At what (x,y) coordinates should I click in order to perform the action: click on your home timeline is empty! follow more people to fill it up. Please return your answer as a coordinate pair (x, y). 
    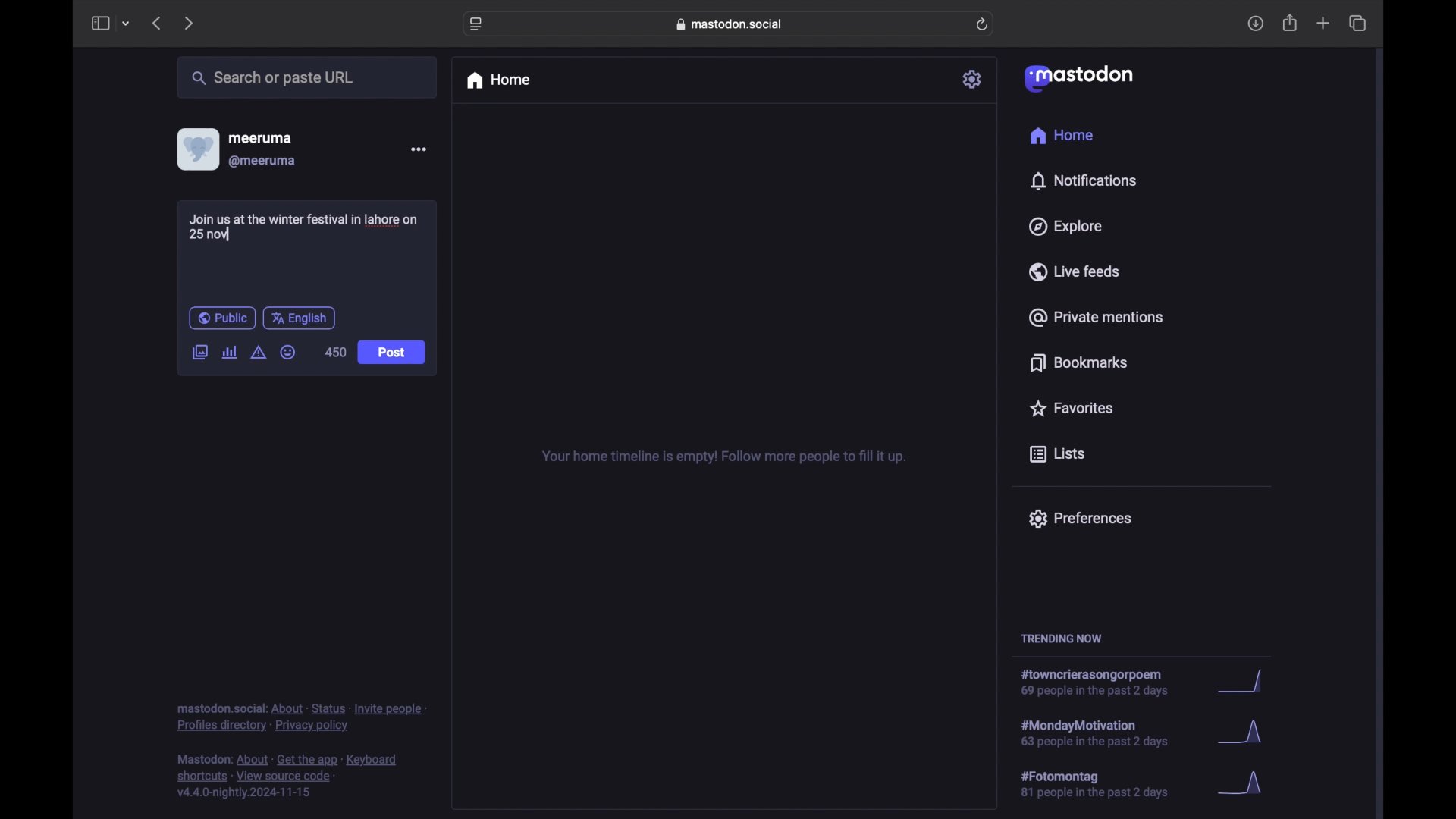
    Looking at the image, I should click on (723, 457).